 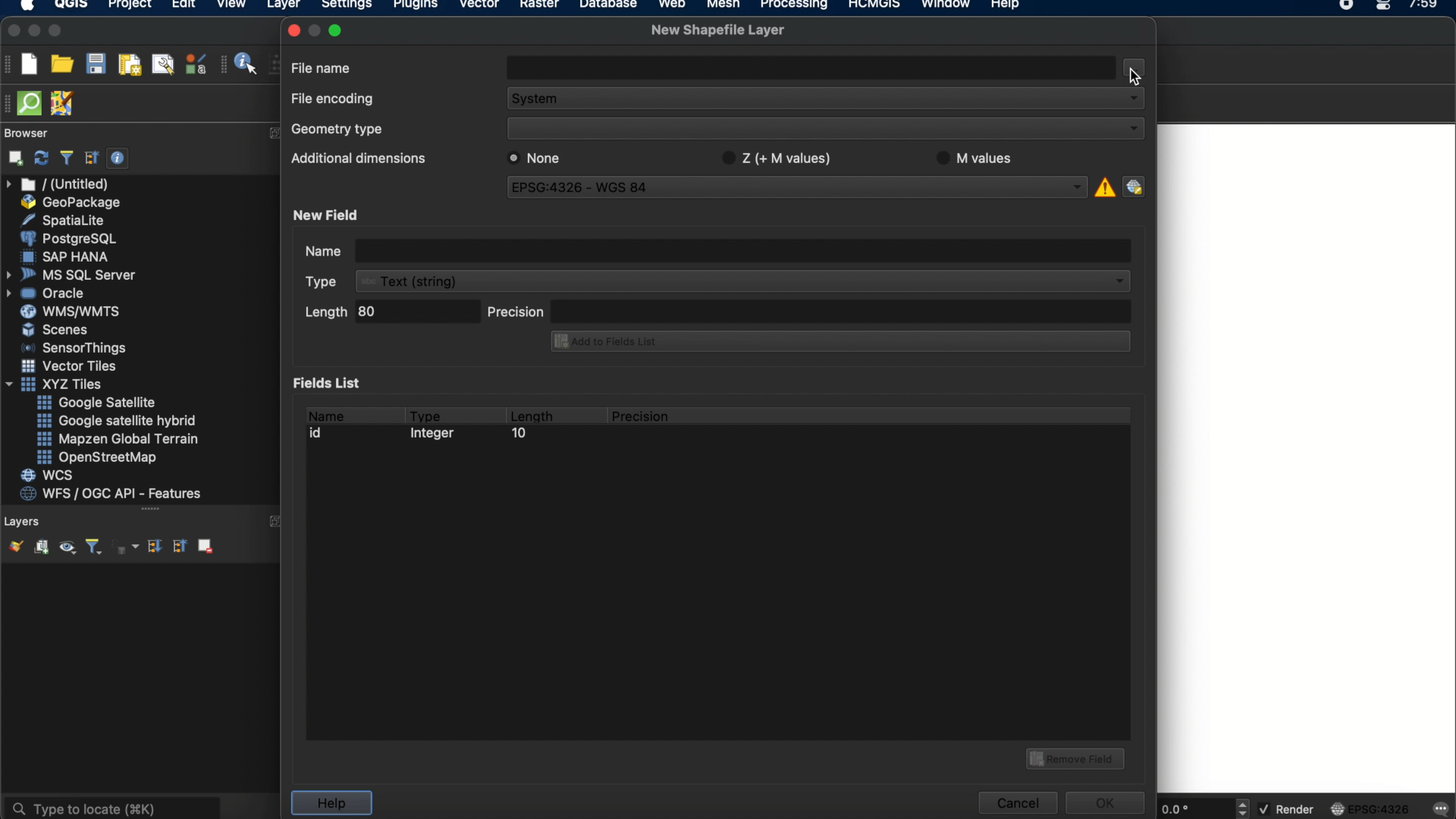 What do you see at coordinates (98, 403) in the screenshot?
I see `google satellite` at bounding box center [98, 403].